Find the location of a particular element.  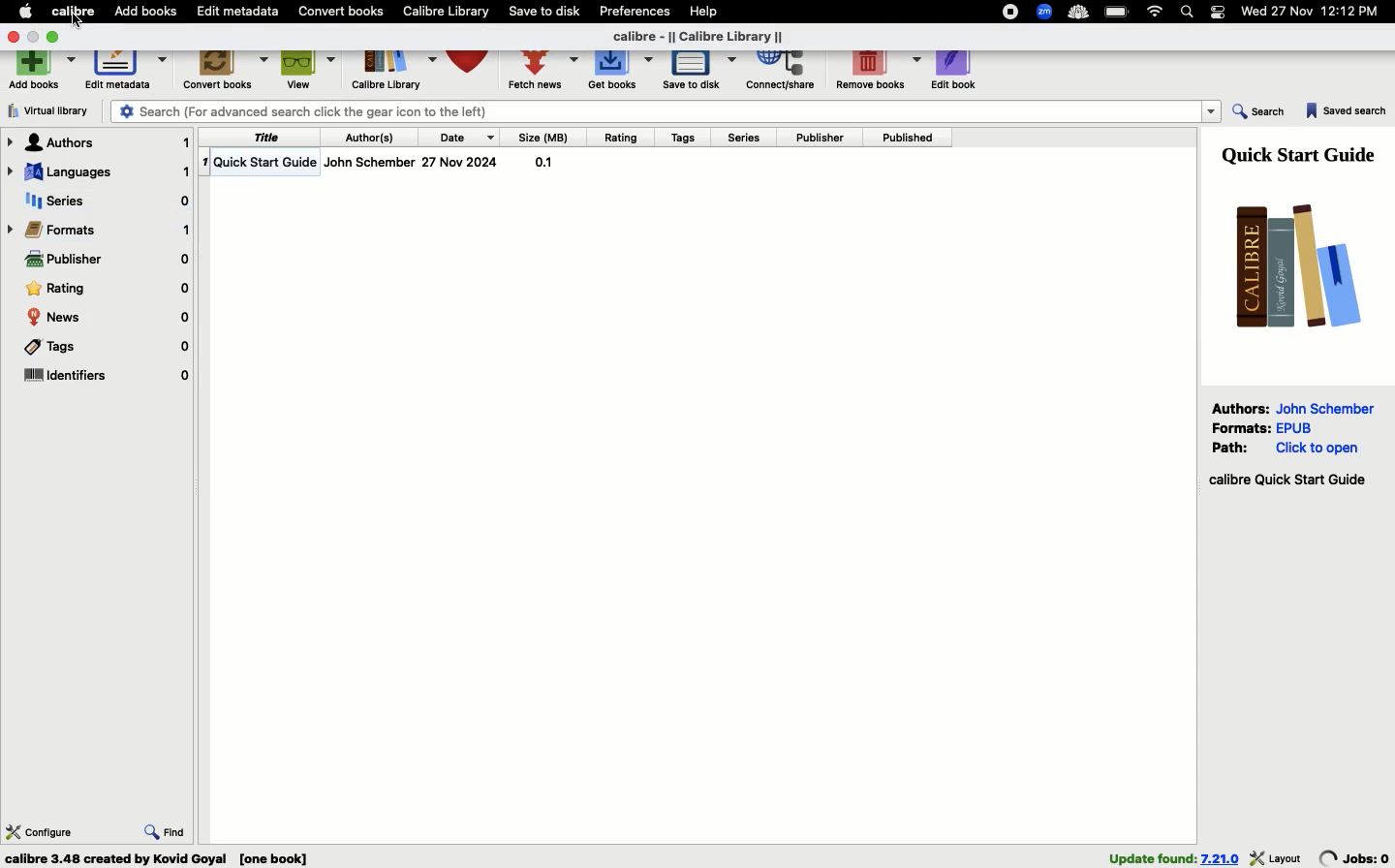

Publisher is located at coordinates (822, 138).